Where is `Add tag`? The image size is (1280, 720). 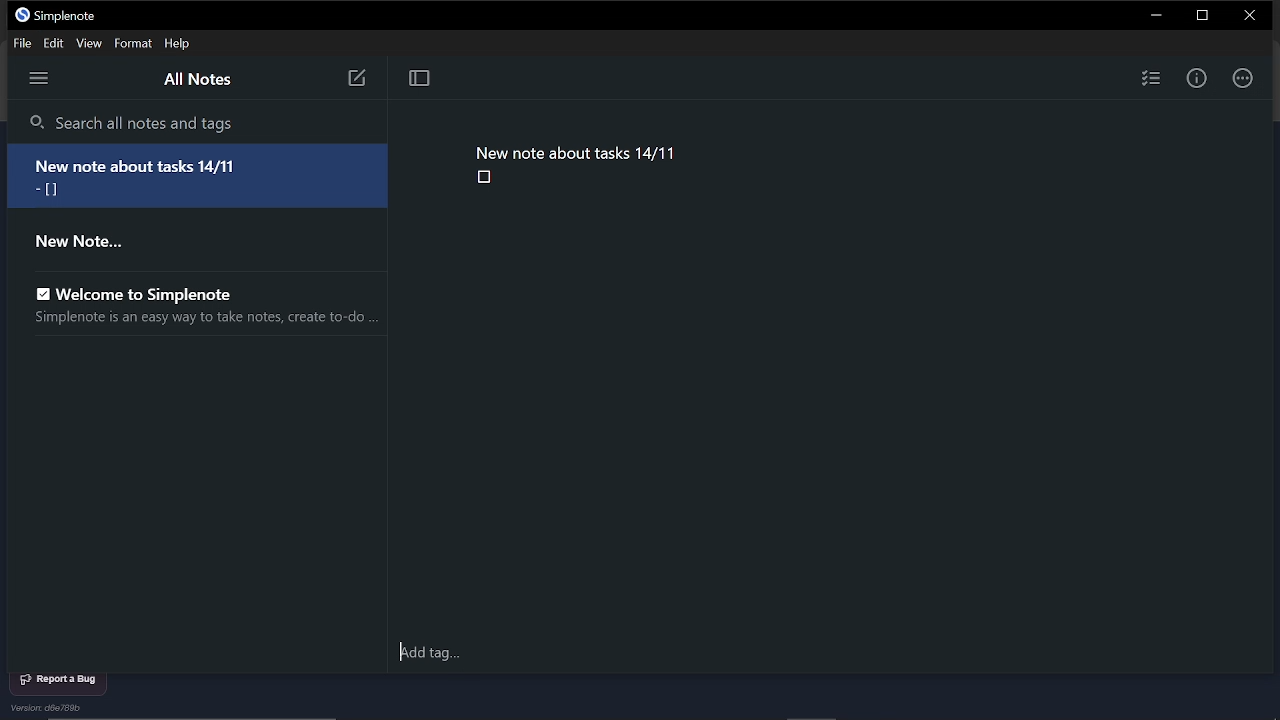 Add tag is located at coordinates (426, 652).